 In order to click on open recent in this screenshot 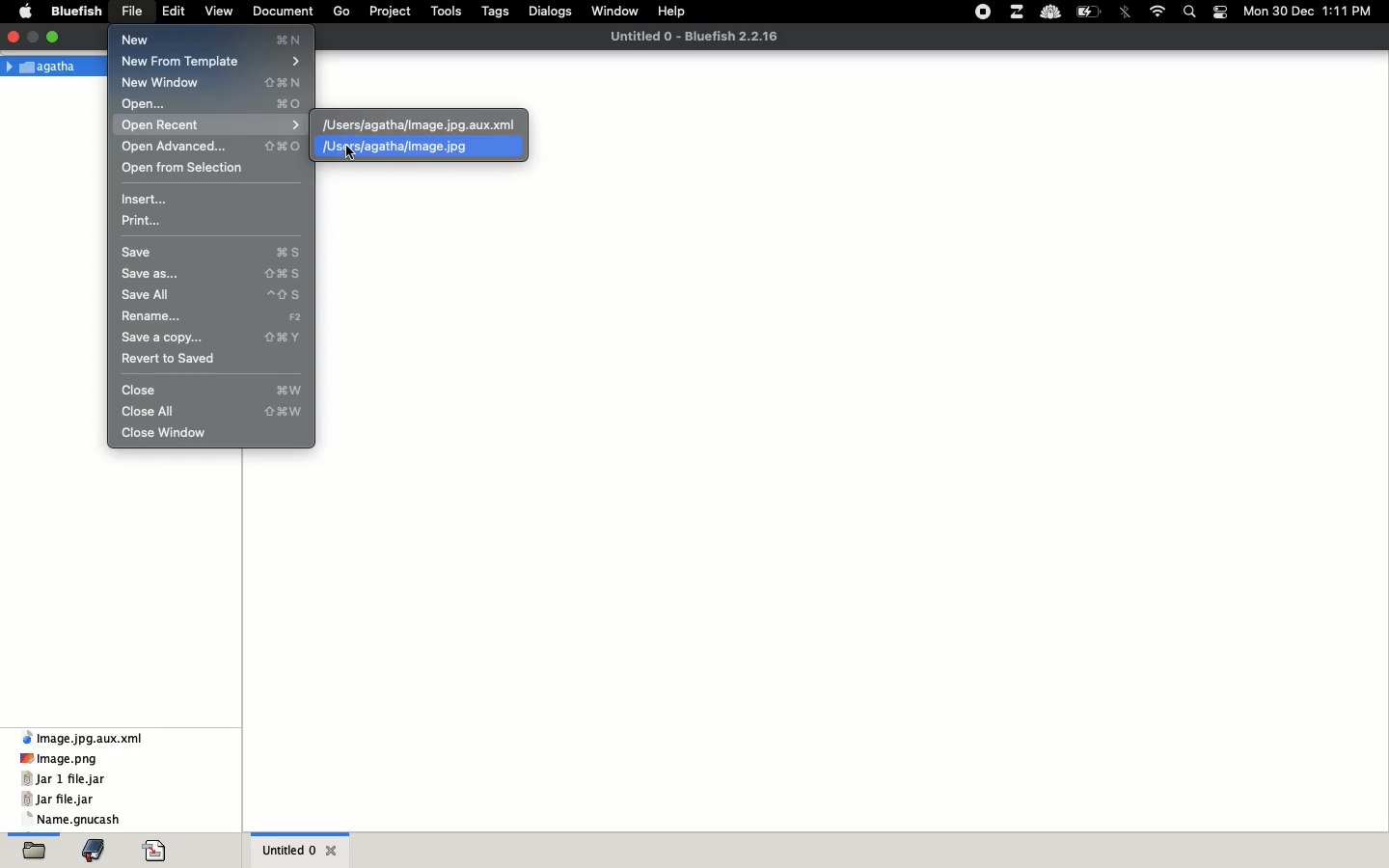, I will do `click(212, 125)`.